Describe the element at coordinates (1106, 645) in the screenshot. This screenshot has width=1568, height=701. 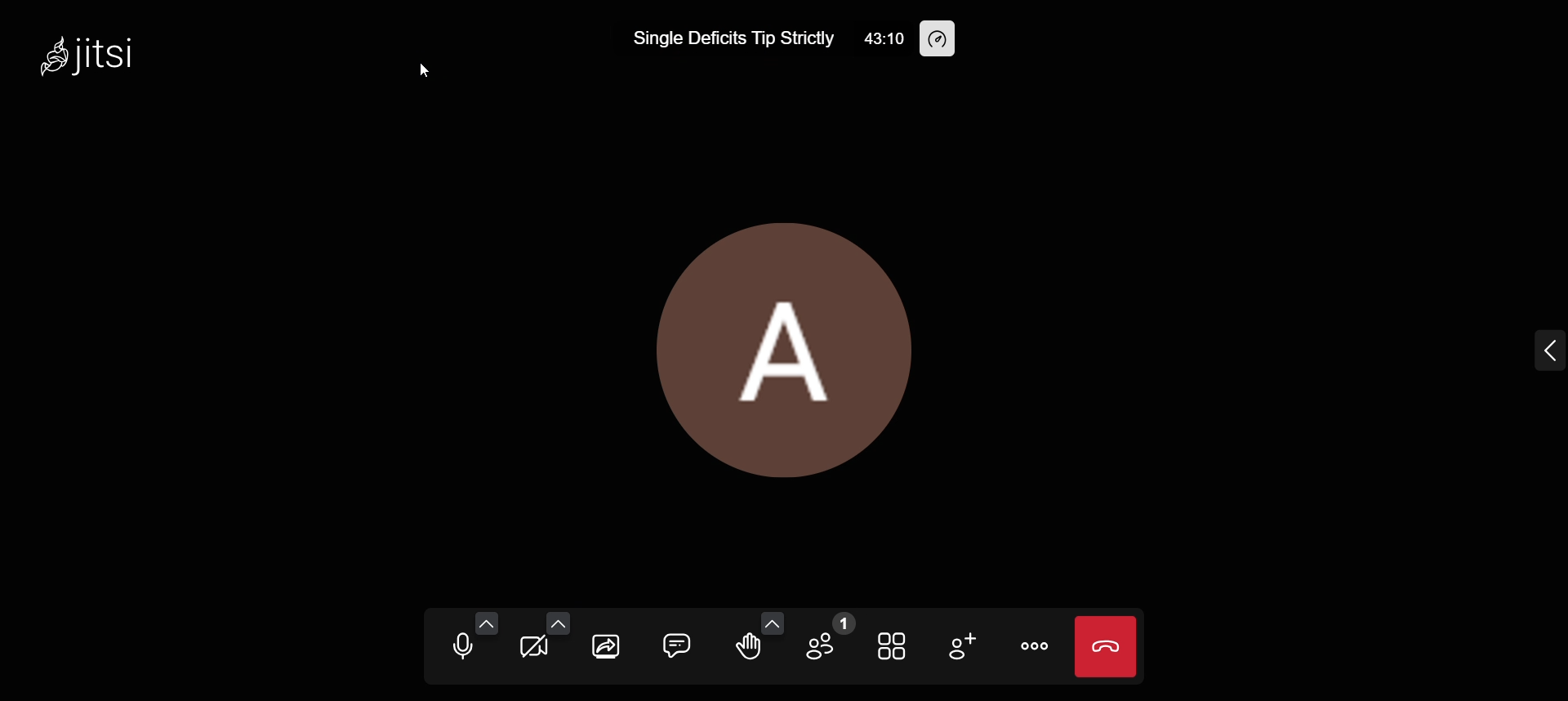
I see `end call` at that location.